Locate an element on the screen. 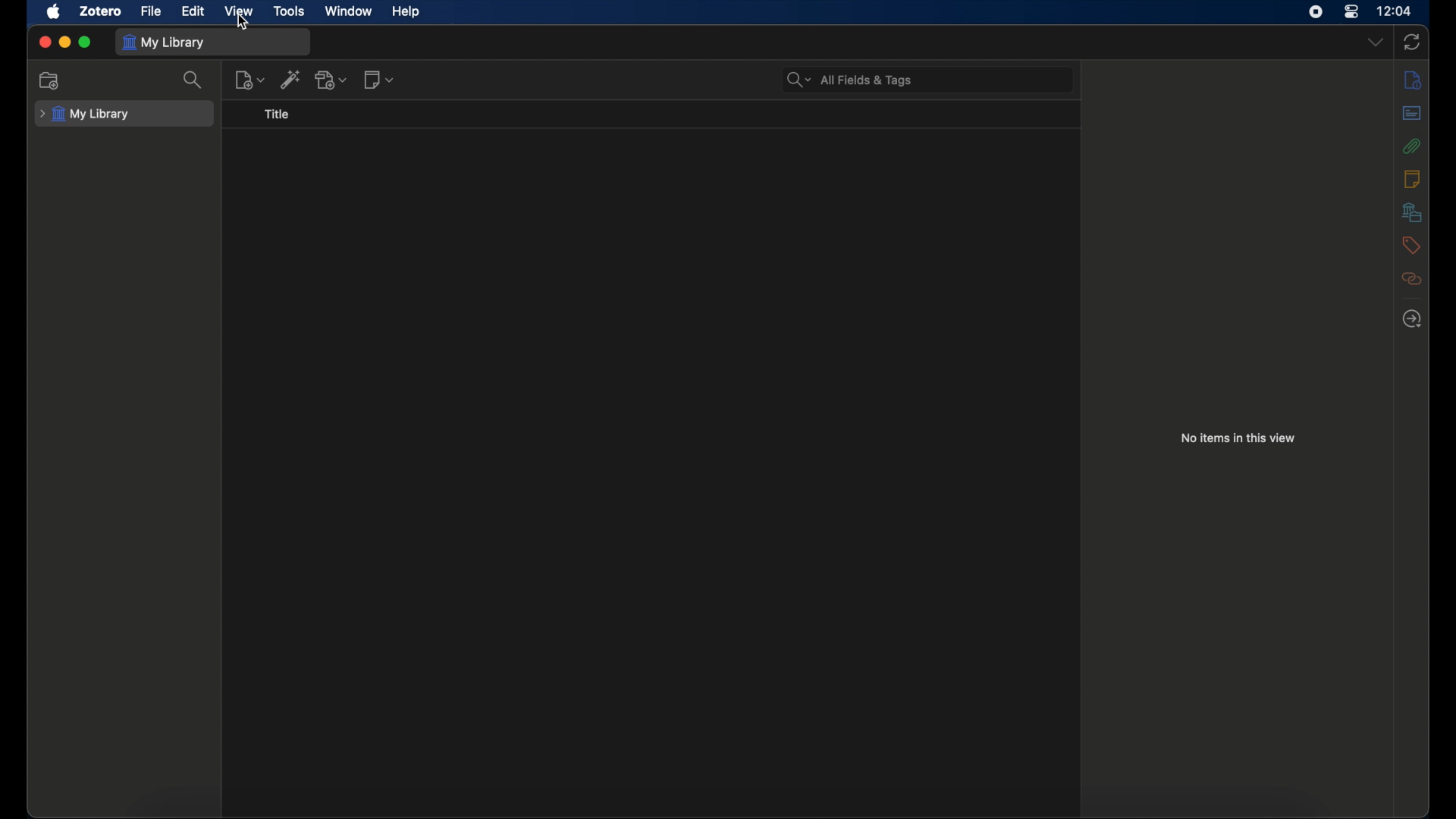  add attachments is located at coordinates (331, 80).